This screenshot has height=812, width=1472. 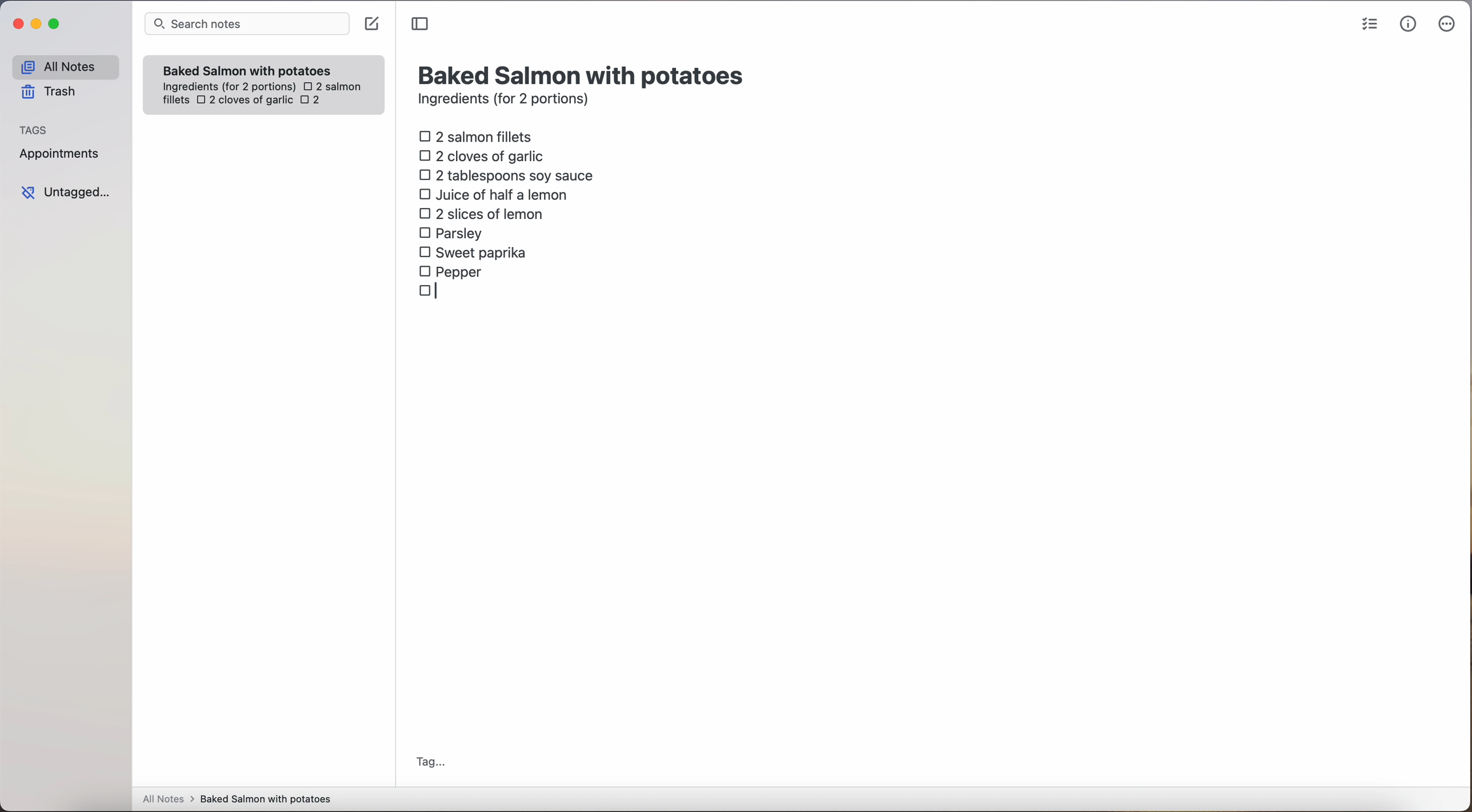 What do you see at coordinates (1409, 23) in the screenshot?
I see `metrics` at bounding box center [1409, 23].